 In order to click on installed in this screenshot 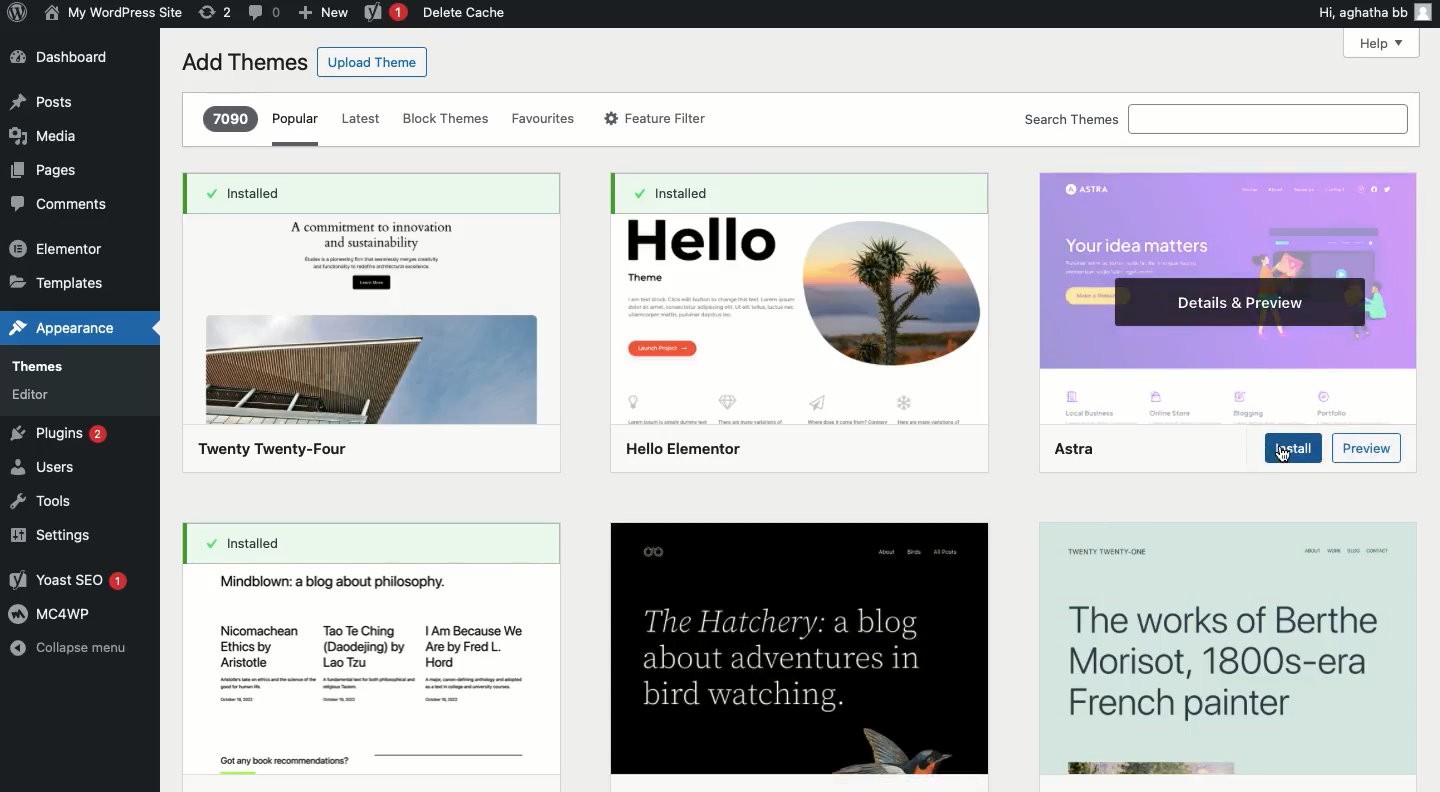, I will do `click(797, 195)`.